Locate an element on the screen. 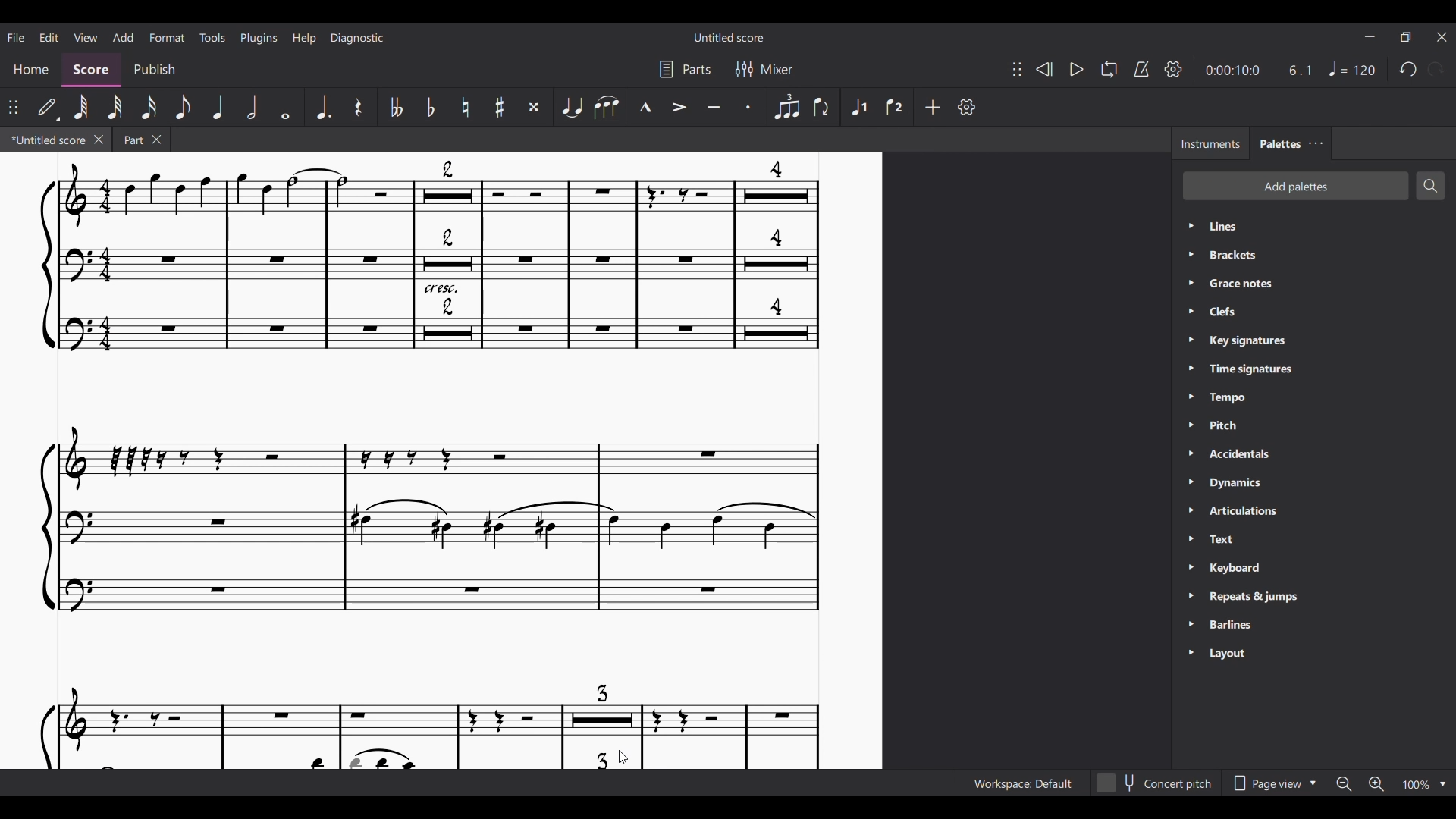 This screenshot has width=1456, height=819. Rest is located at coordinates (359, 107).